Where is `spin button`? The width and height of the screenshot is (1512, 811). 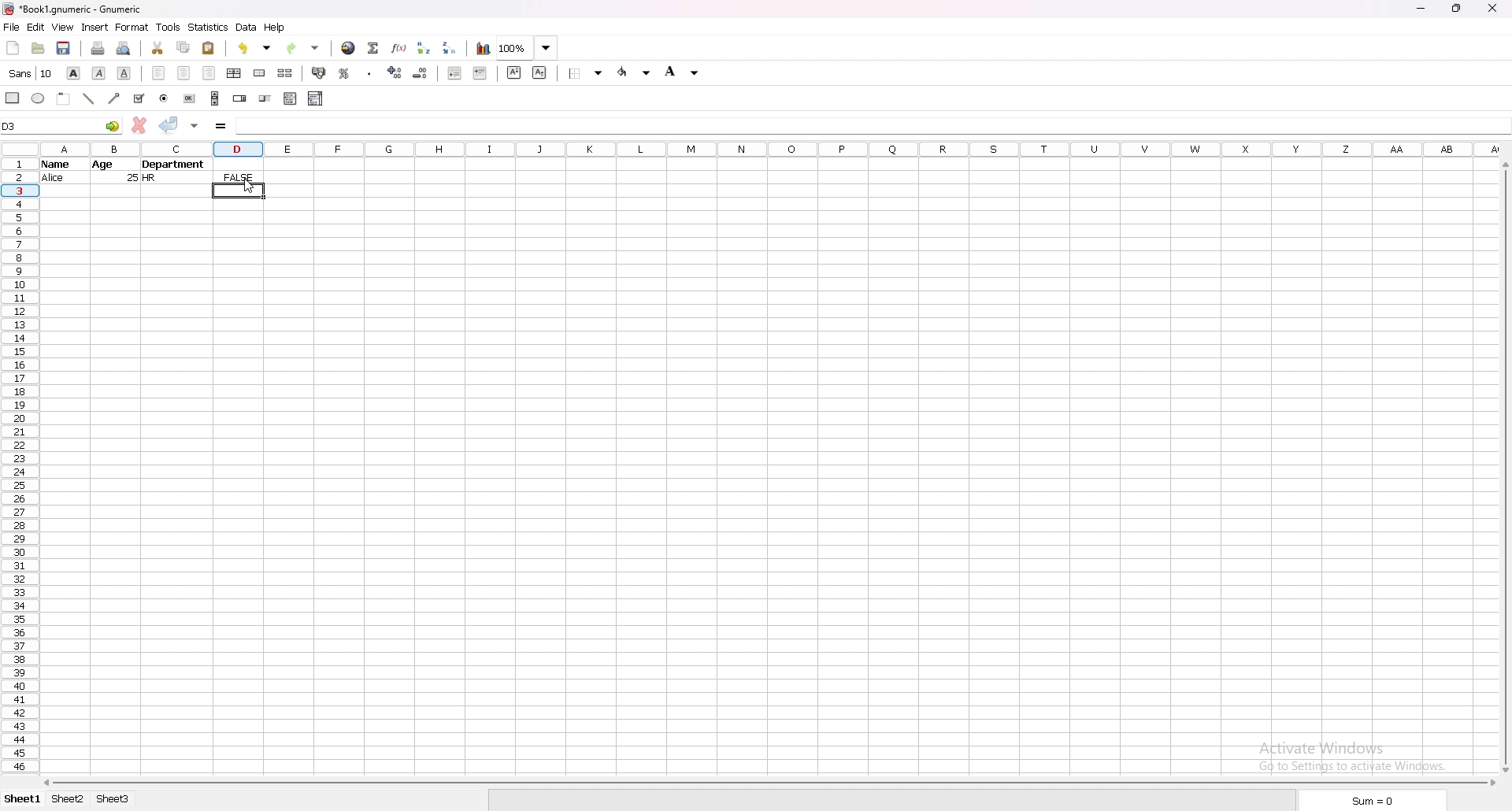
spin button is located at coordinates (240, 100).